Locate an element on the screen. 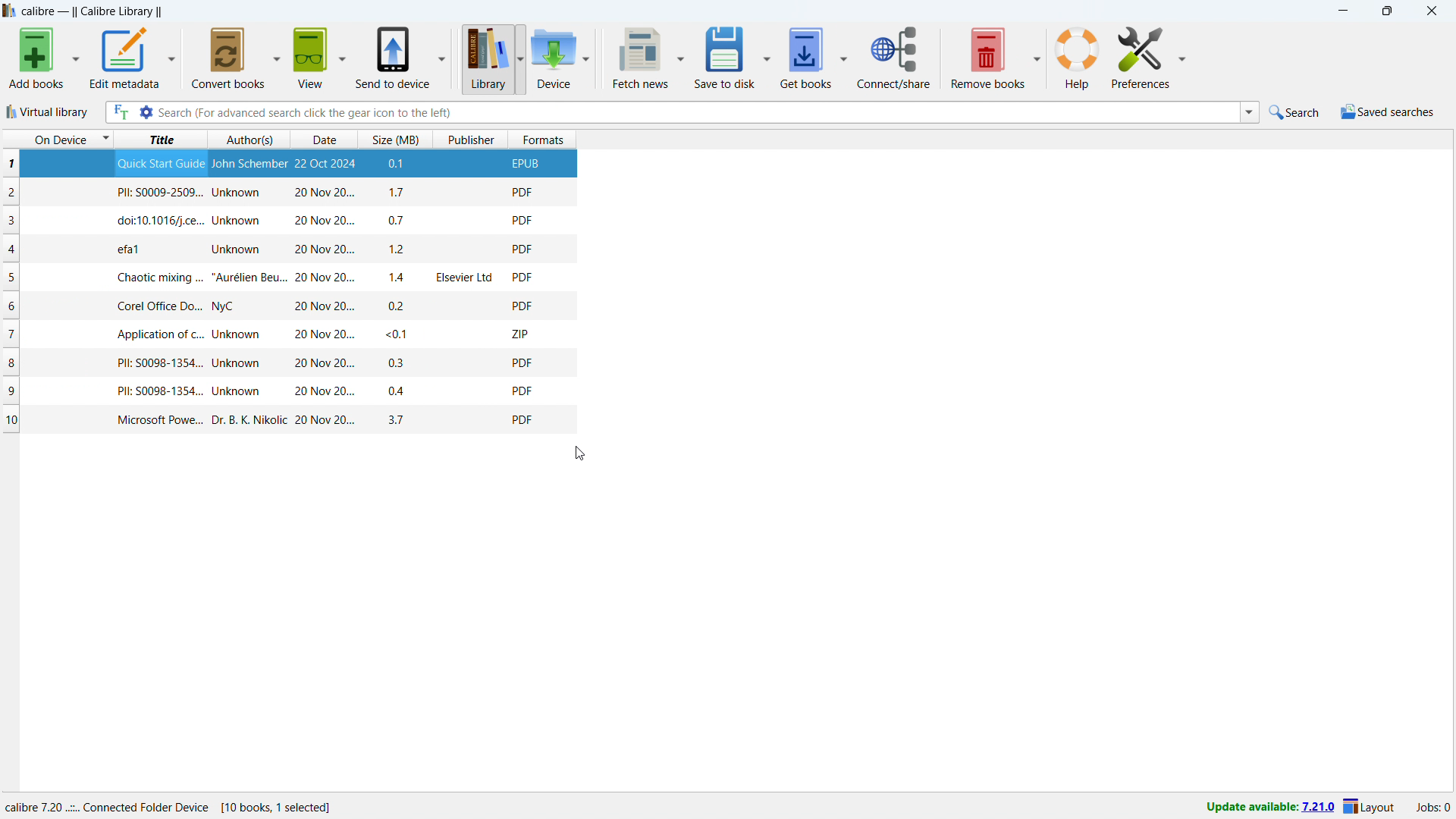 This screenshot has height=819, width=1456. view options is located at coordinates (342, 57).